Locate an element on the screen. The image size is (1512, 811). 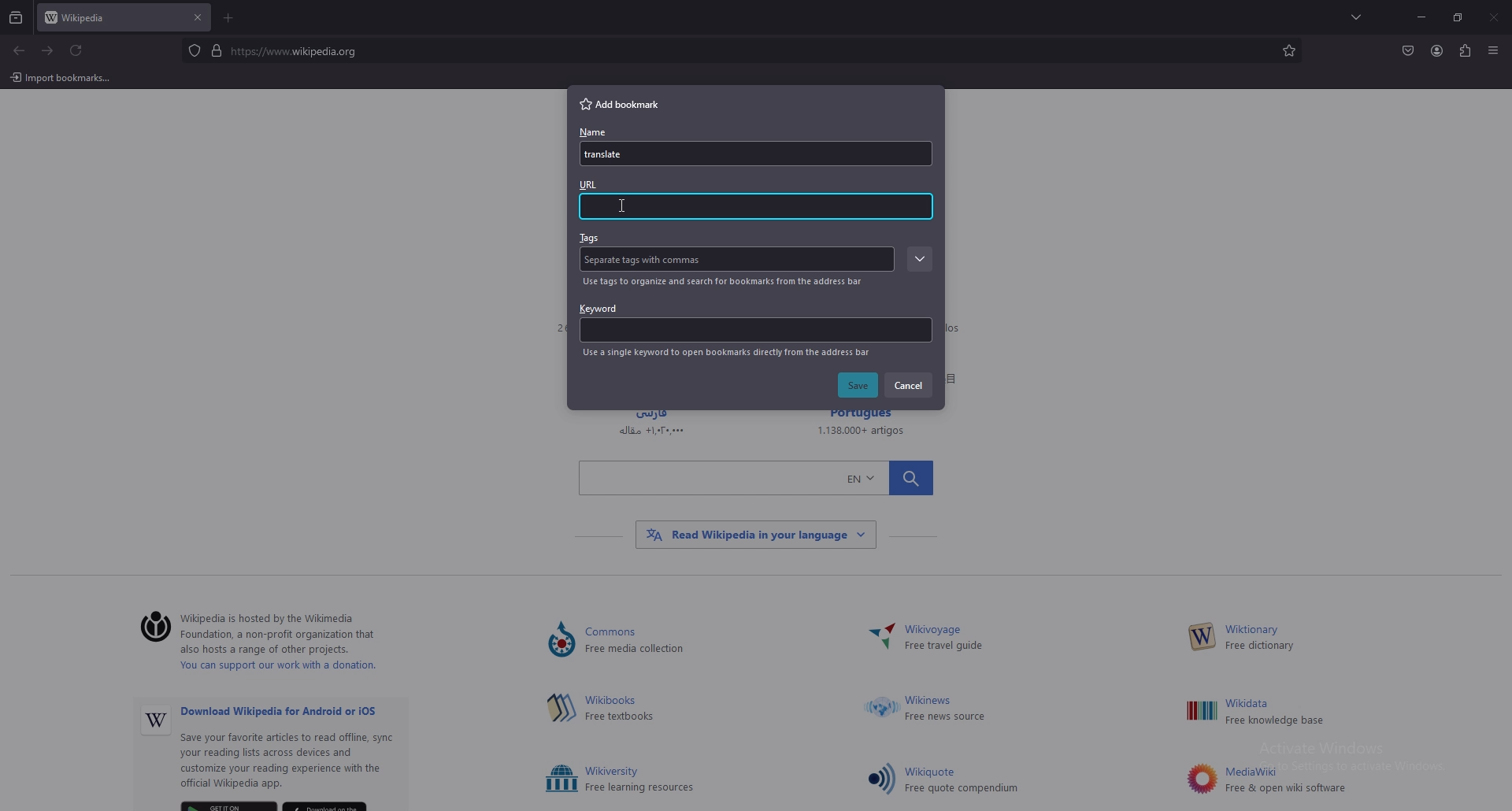
 is located at coordinates (756, 476).